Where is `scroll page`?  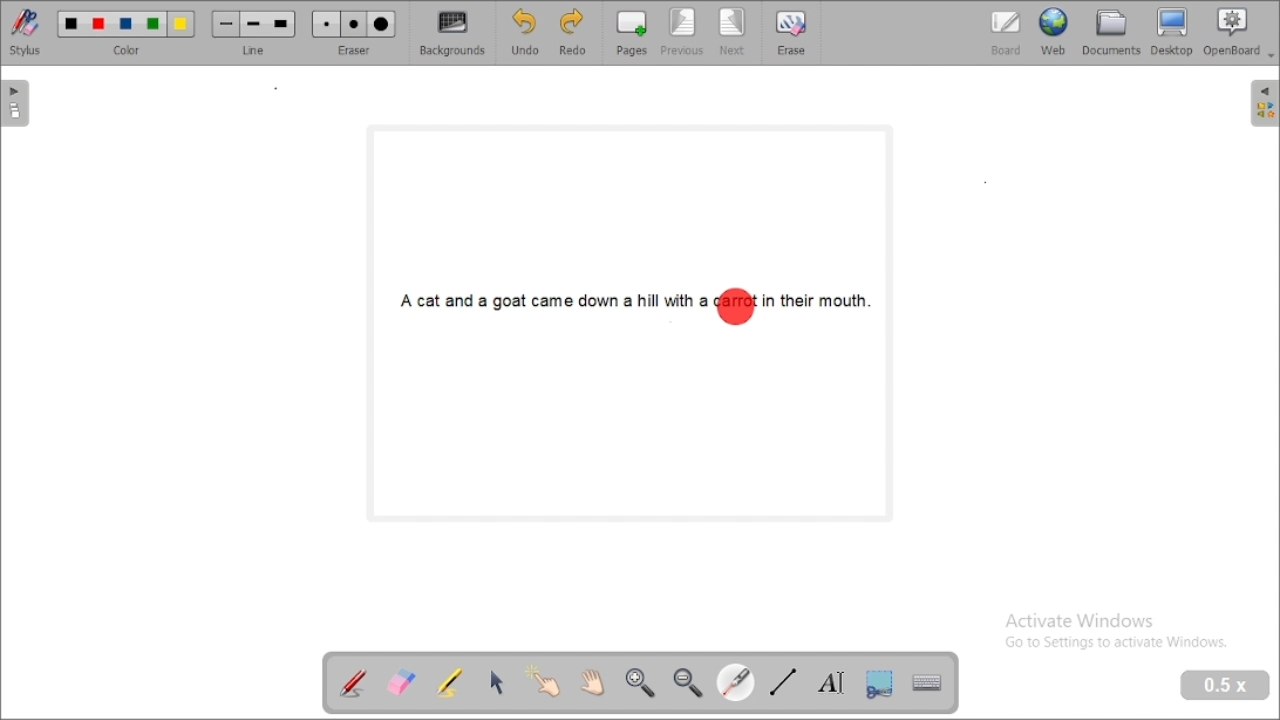 scroll page is located at coordinates (593, 683).